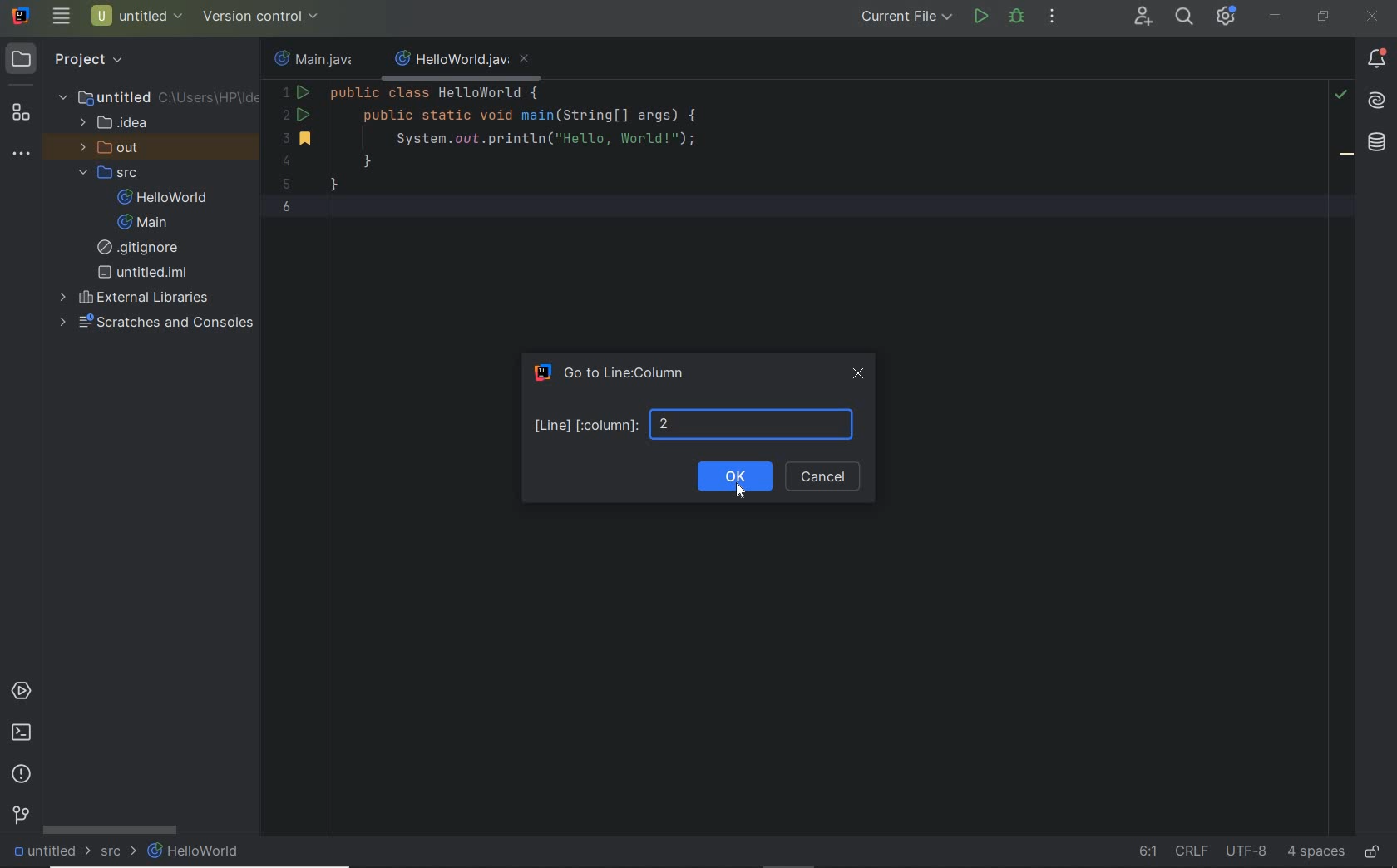  What do you see at coordinates (20, 154) in the screenshot?
I see `more tool windows` at bounding box center [20, 154].